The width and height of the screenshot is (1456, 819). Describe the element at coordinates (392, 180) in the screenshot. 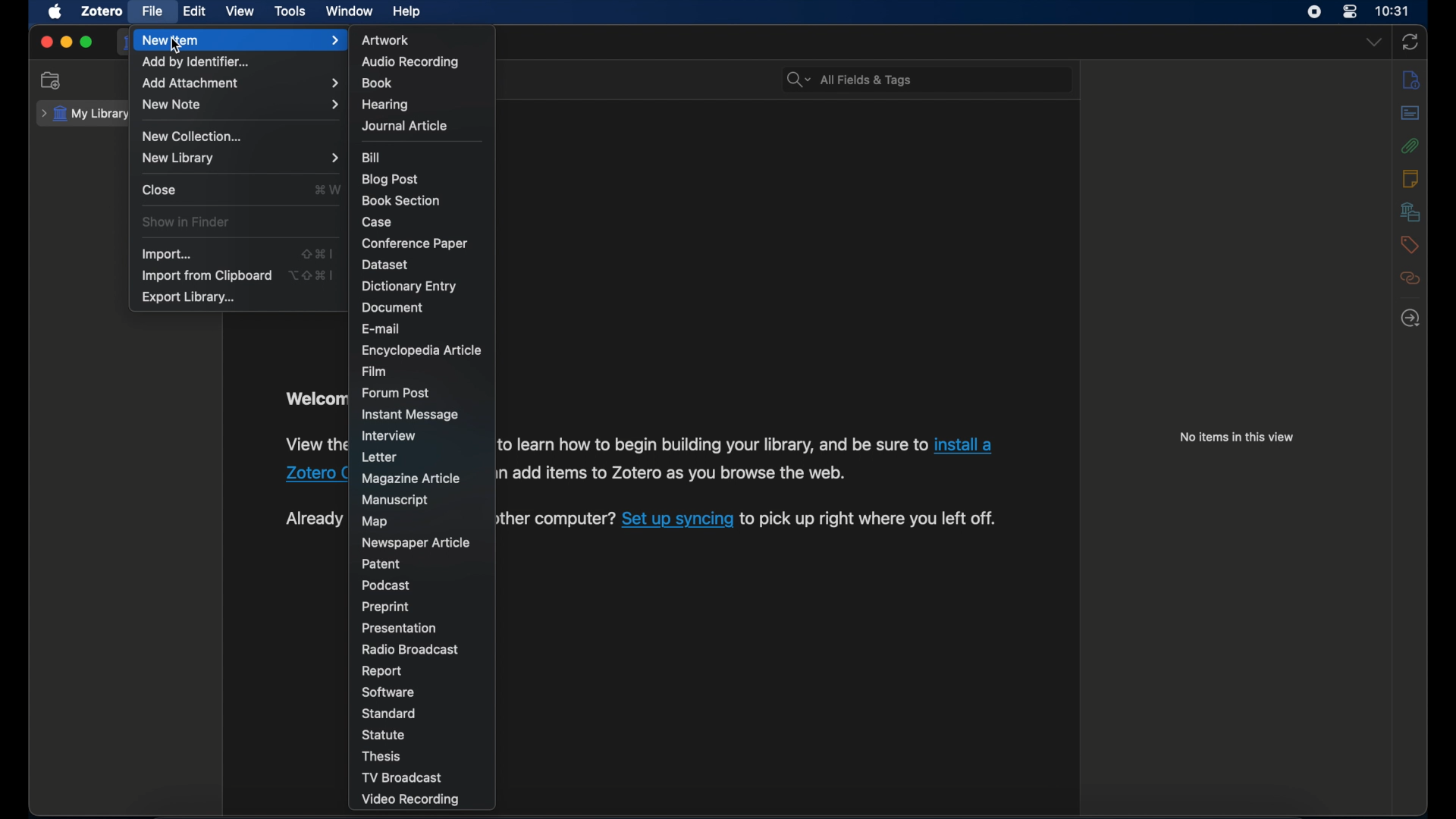

I see `blog post` at that location.